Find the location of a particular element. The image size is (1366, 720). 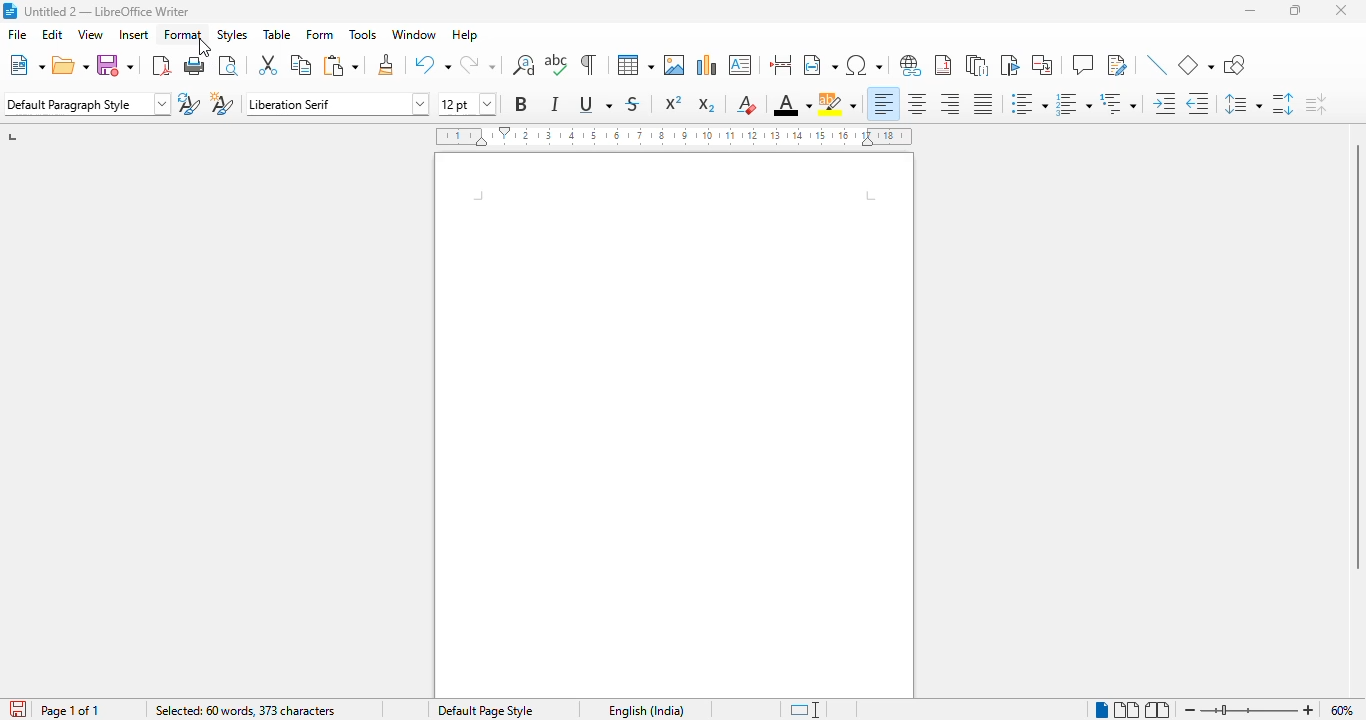

increase indent is located at coordinates (1165, 103).